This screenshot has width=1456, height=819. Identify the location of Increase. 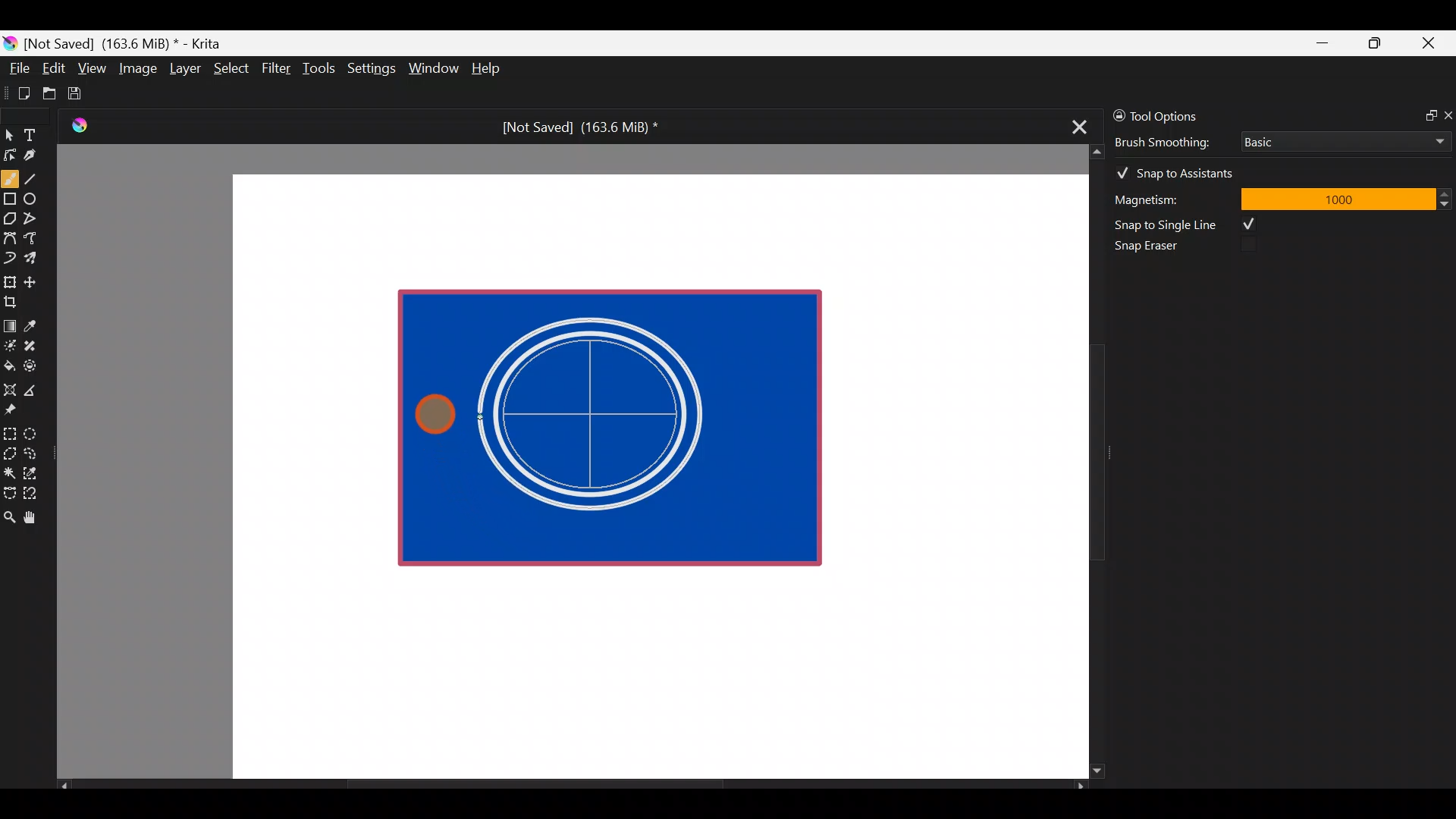
(1447, 193).